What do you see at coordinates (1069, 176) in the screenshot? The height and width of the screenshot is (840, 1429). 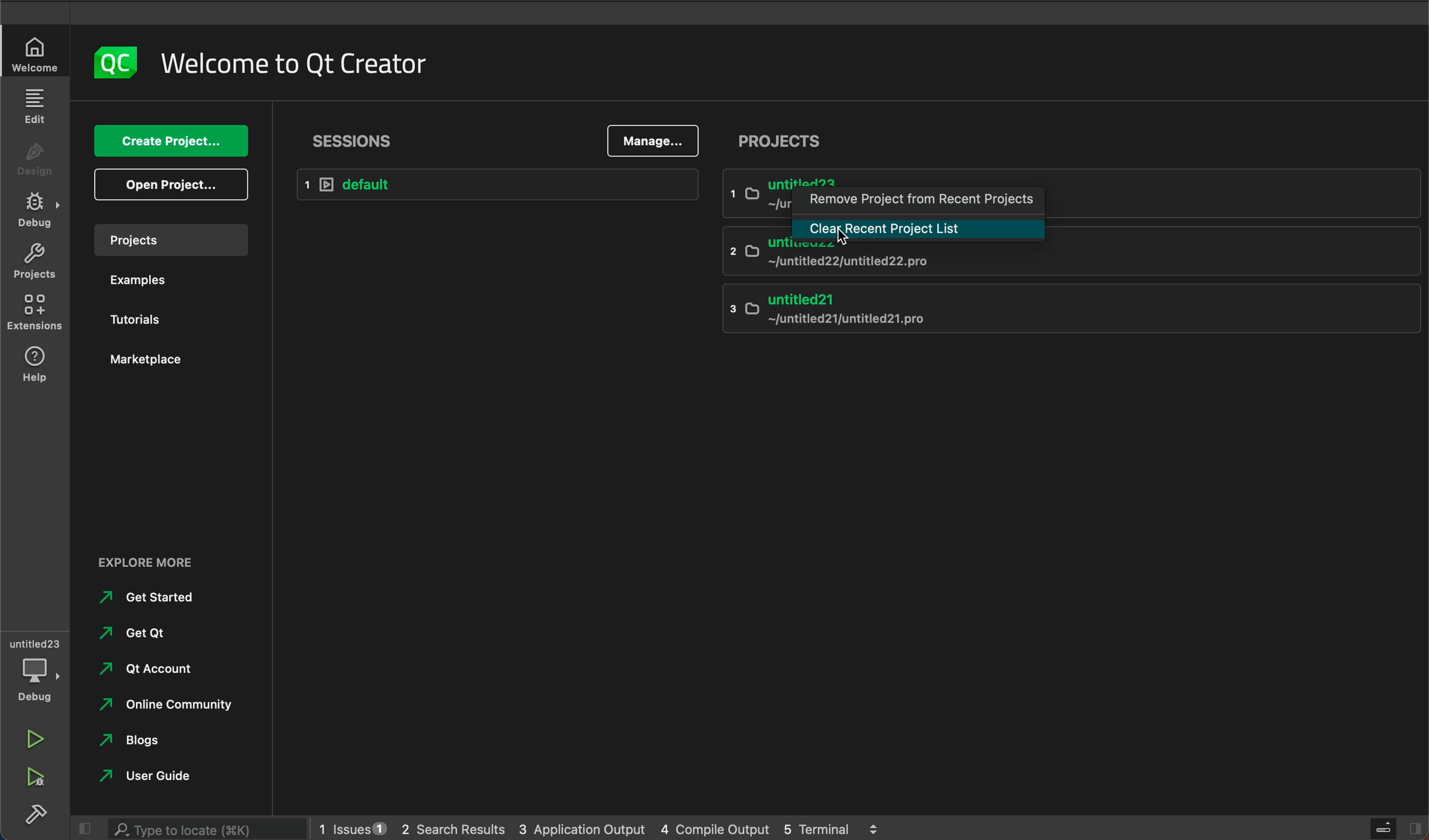 I see `untitled` at bounding box center [1069, 176].